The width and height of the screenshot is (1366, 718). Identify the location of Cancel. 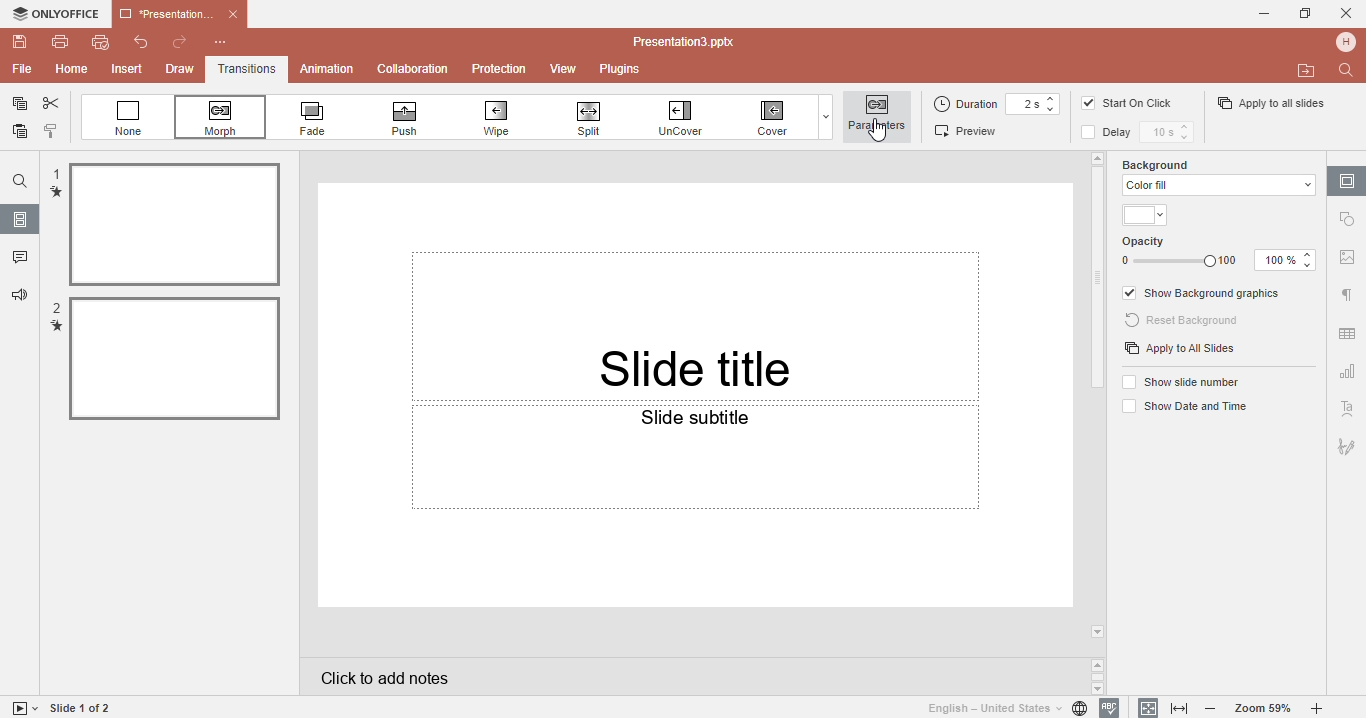
(1346, 13).